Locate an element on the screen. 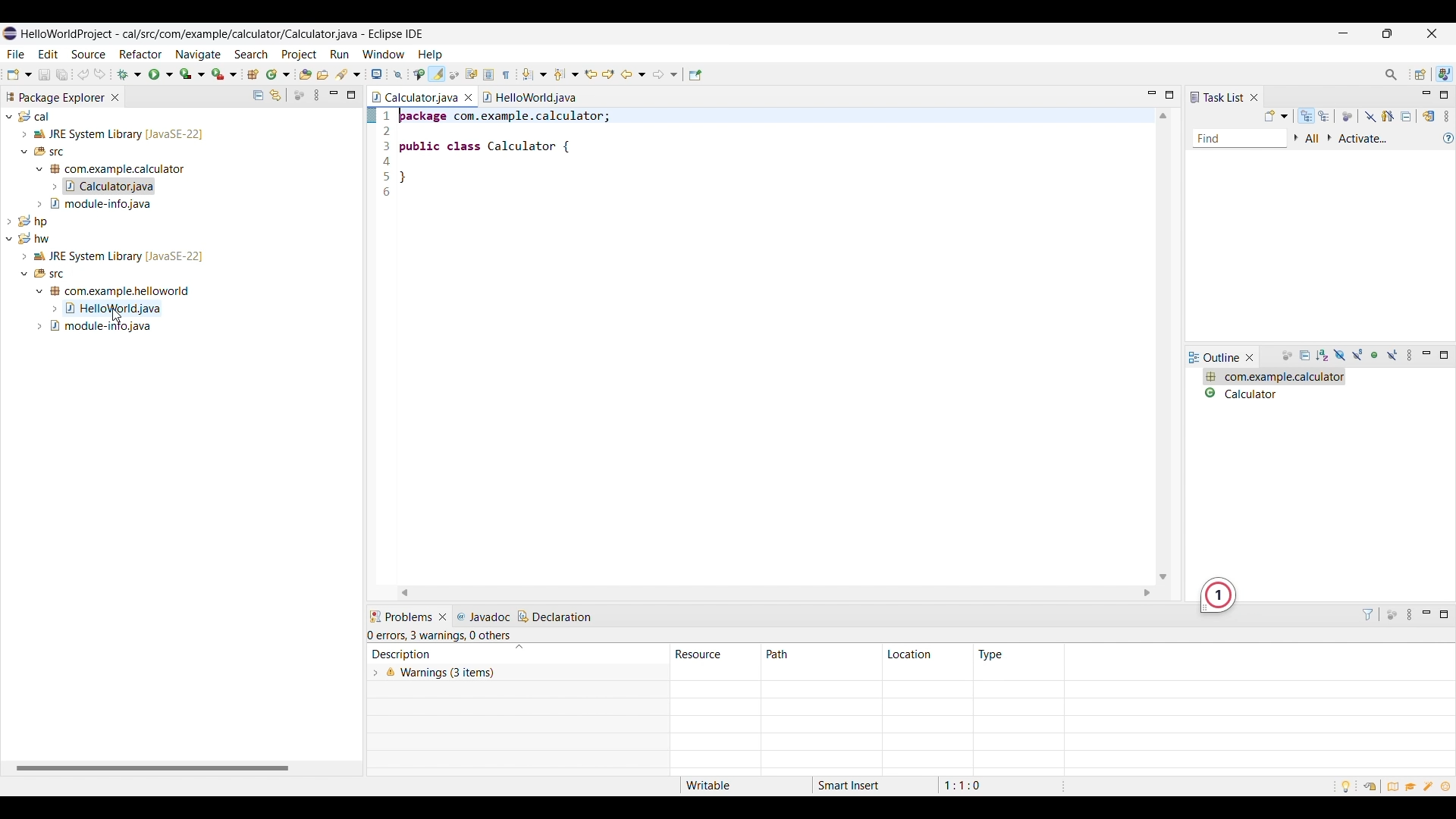 This screenshot has height=819, width=1456. What's new is located at coordinates (1448, 788).